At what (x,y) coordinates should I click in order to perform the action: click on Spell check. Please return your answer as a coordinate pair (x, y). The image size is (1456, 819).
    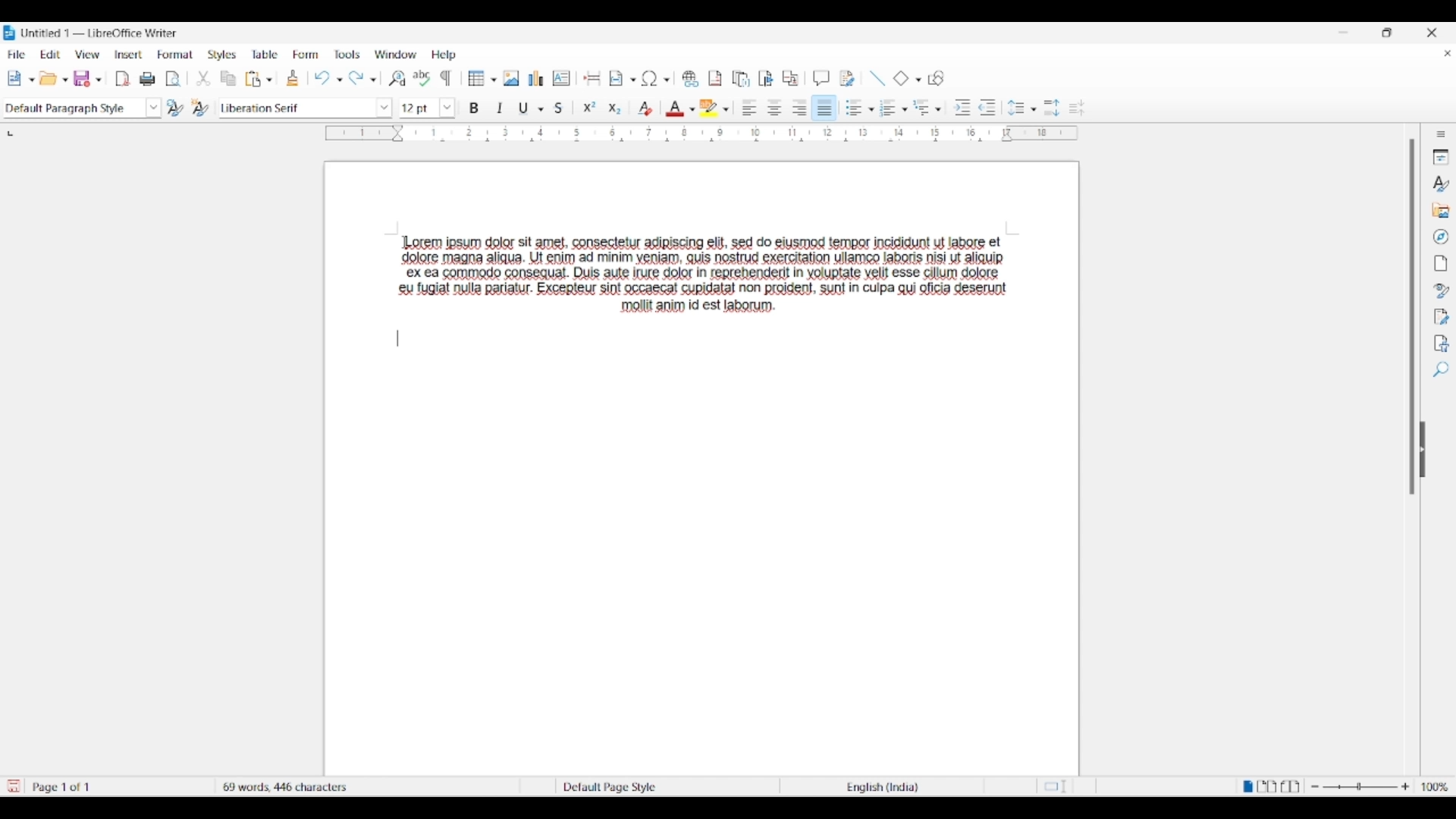
    Looking at the image, I should click on (422, 78).